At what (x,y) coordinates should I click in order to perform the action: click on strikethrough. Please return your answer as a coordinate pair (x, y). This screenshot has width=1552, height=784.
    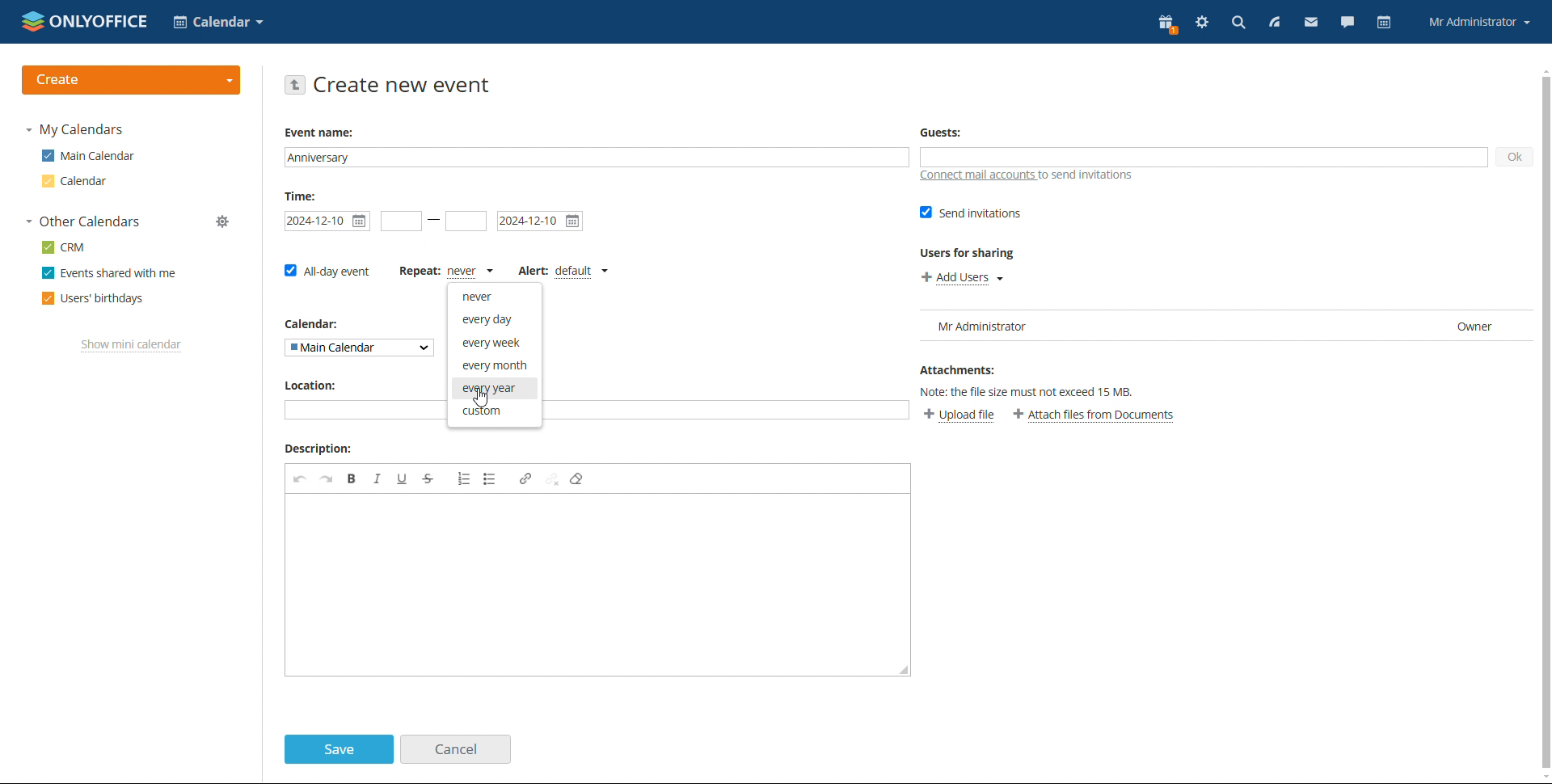
    Looking at the image, I should click on (428, 478).